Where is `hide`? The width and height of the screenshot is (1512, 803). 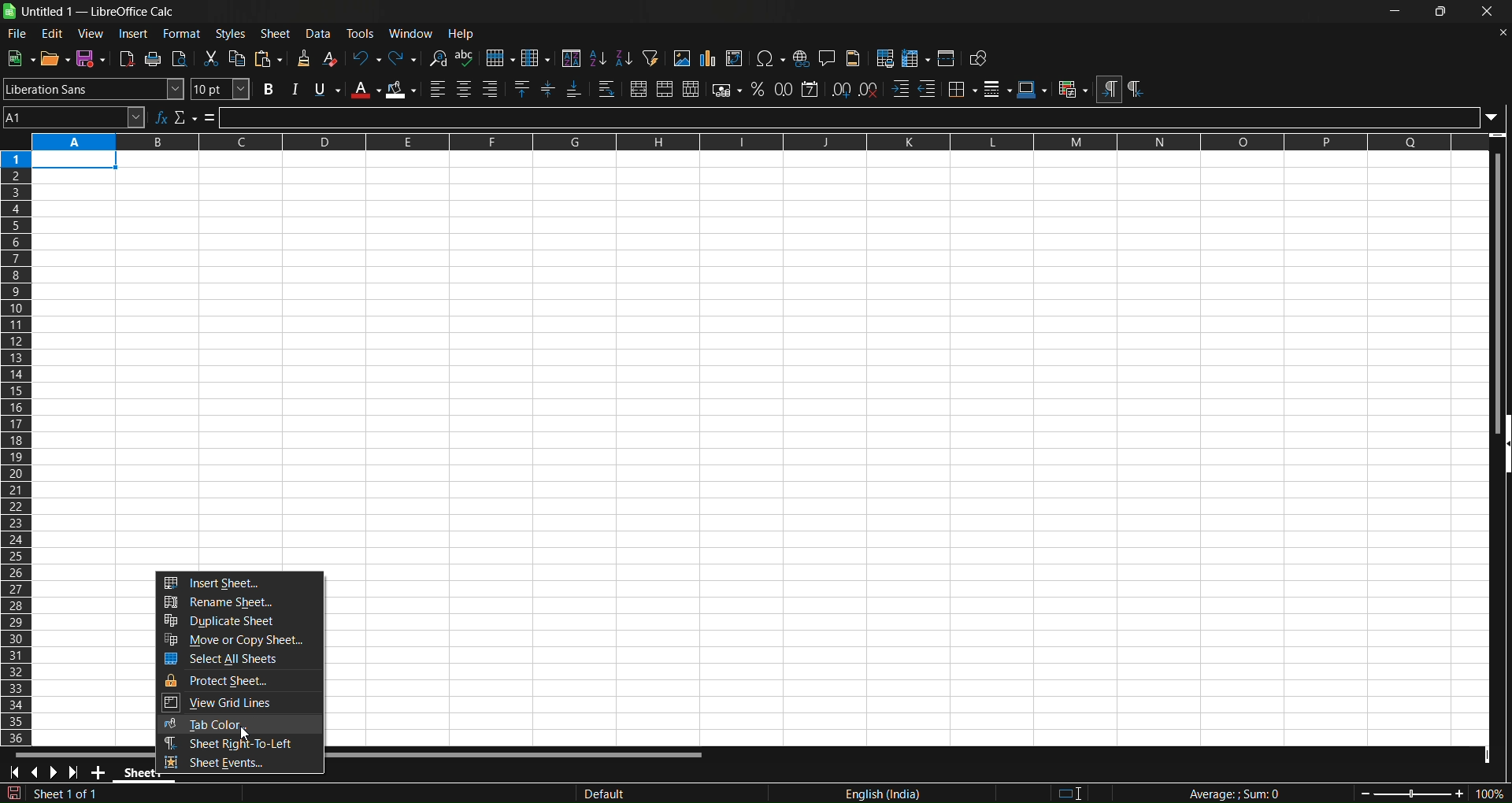
hide is located at coordinates (1503, 446).